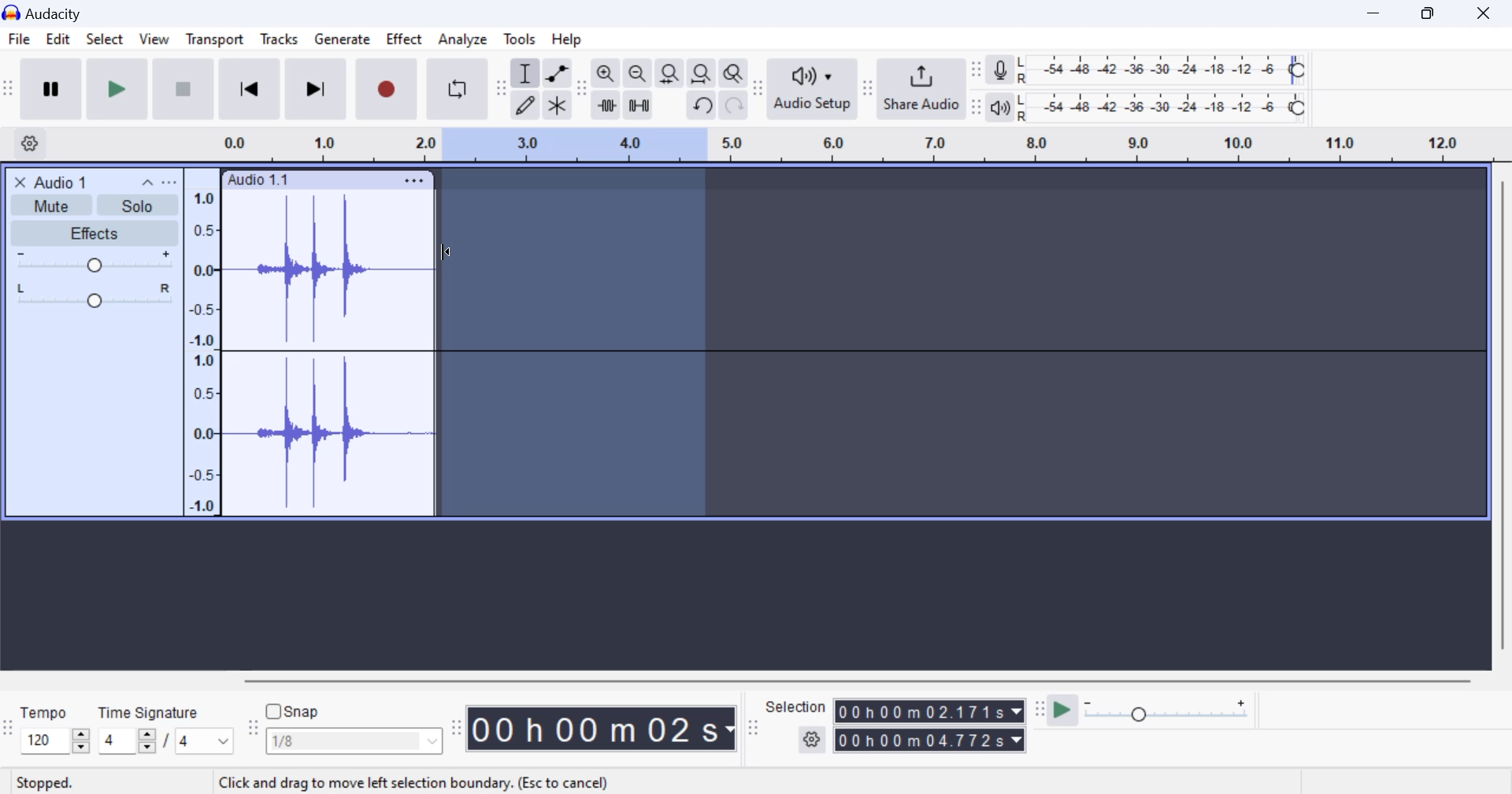 The image size is (1512, 794). What do you see at coordinates (146, 181) in the screenshot?
I see `collapse` at bounding box center [146, 181].